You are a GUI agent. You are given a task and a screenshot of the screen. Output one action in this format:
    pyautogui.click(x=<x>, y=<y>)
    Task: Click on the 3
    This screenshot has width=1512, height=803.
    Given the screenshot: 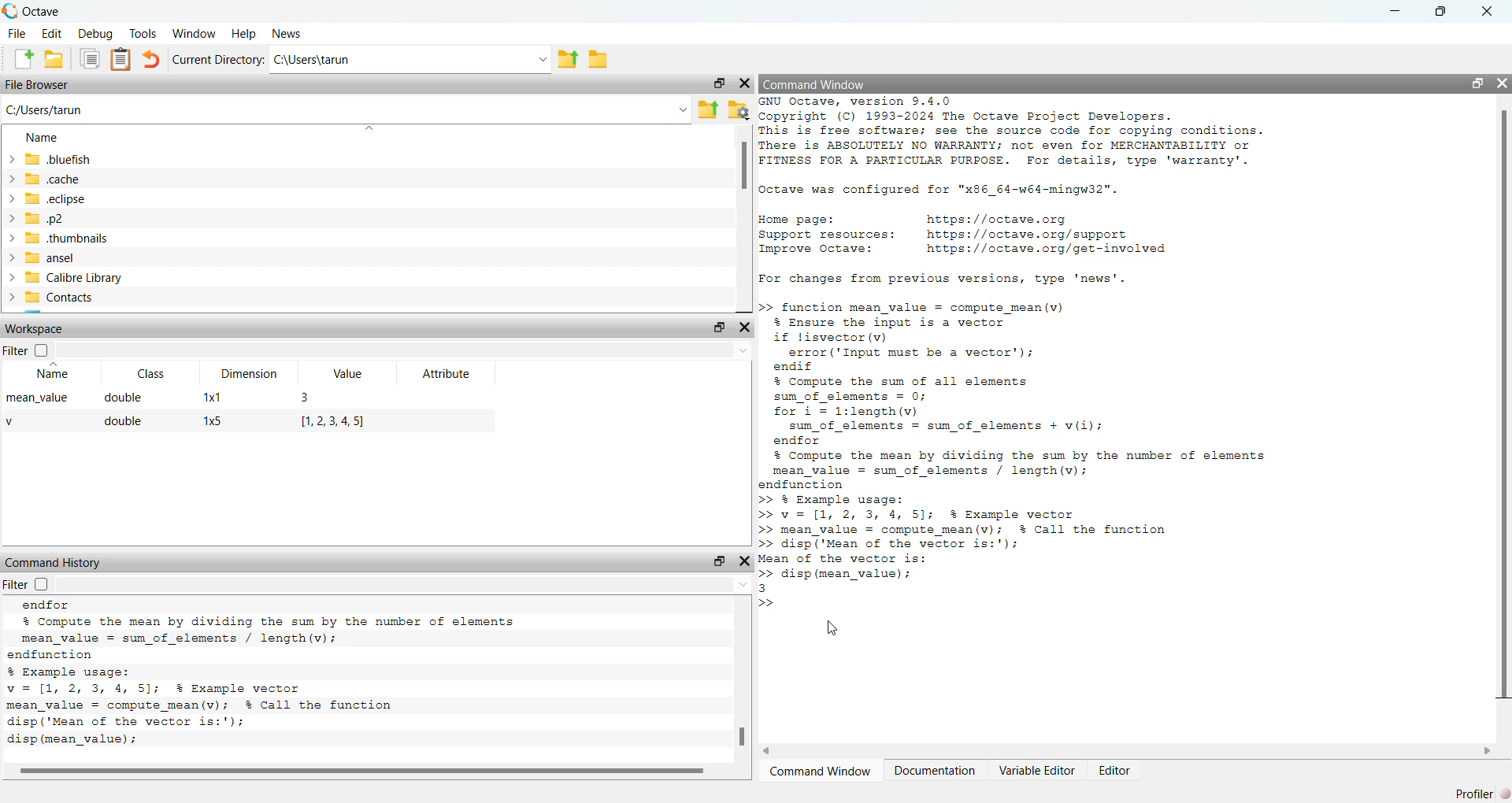 What is the action you would take?
    pyautogui.click(x=307, y=398)
    